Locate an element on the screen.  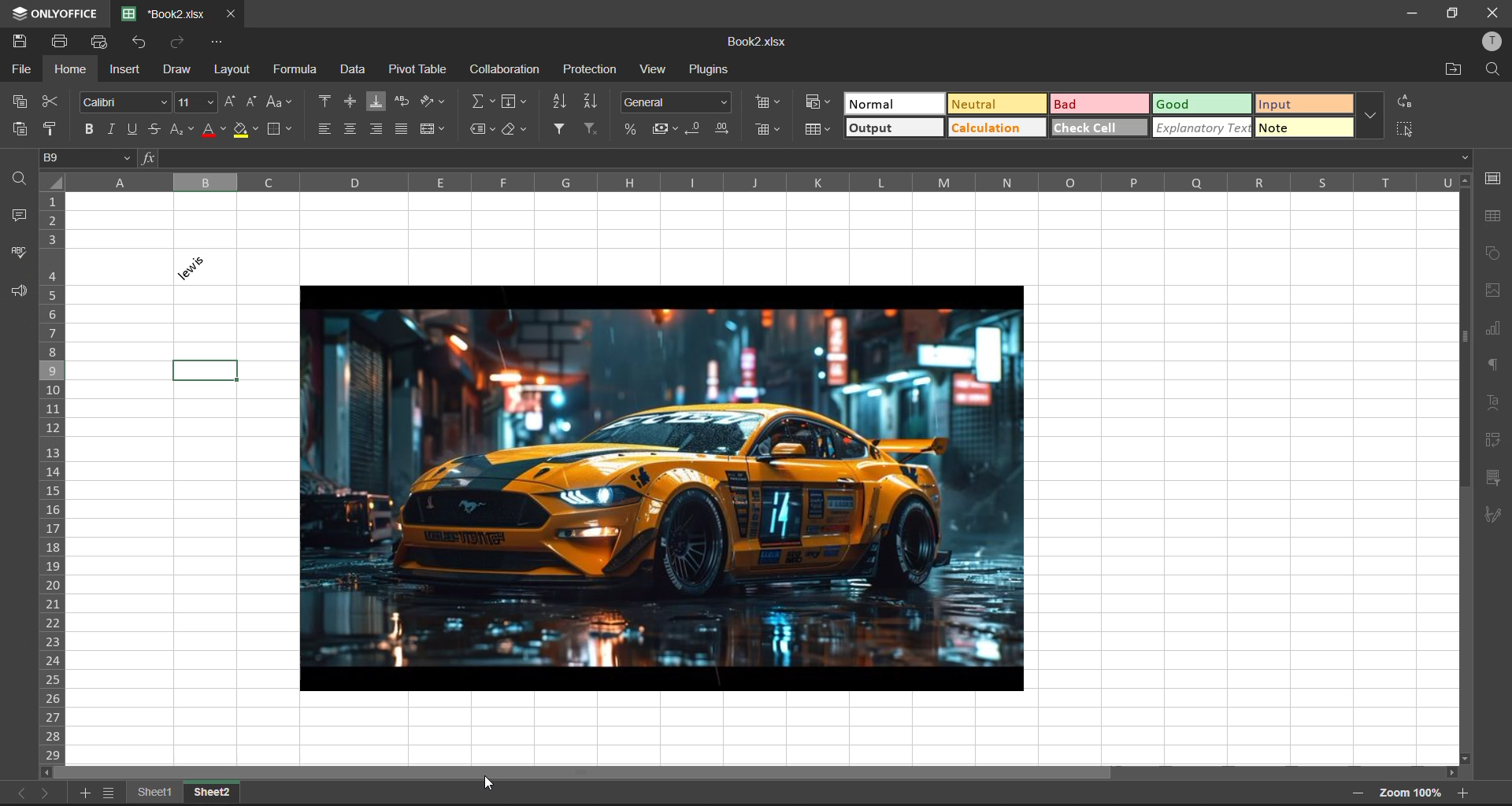
merge and center is located at coordinates (437, 128).